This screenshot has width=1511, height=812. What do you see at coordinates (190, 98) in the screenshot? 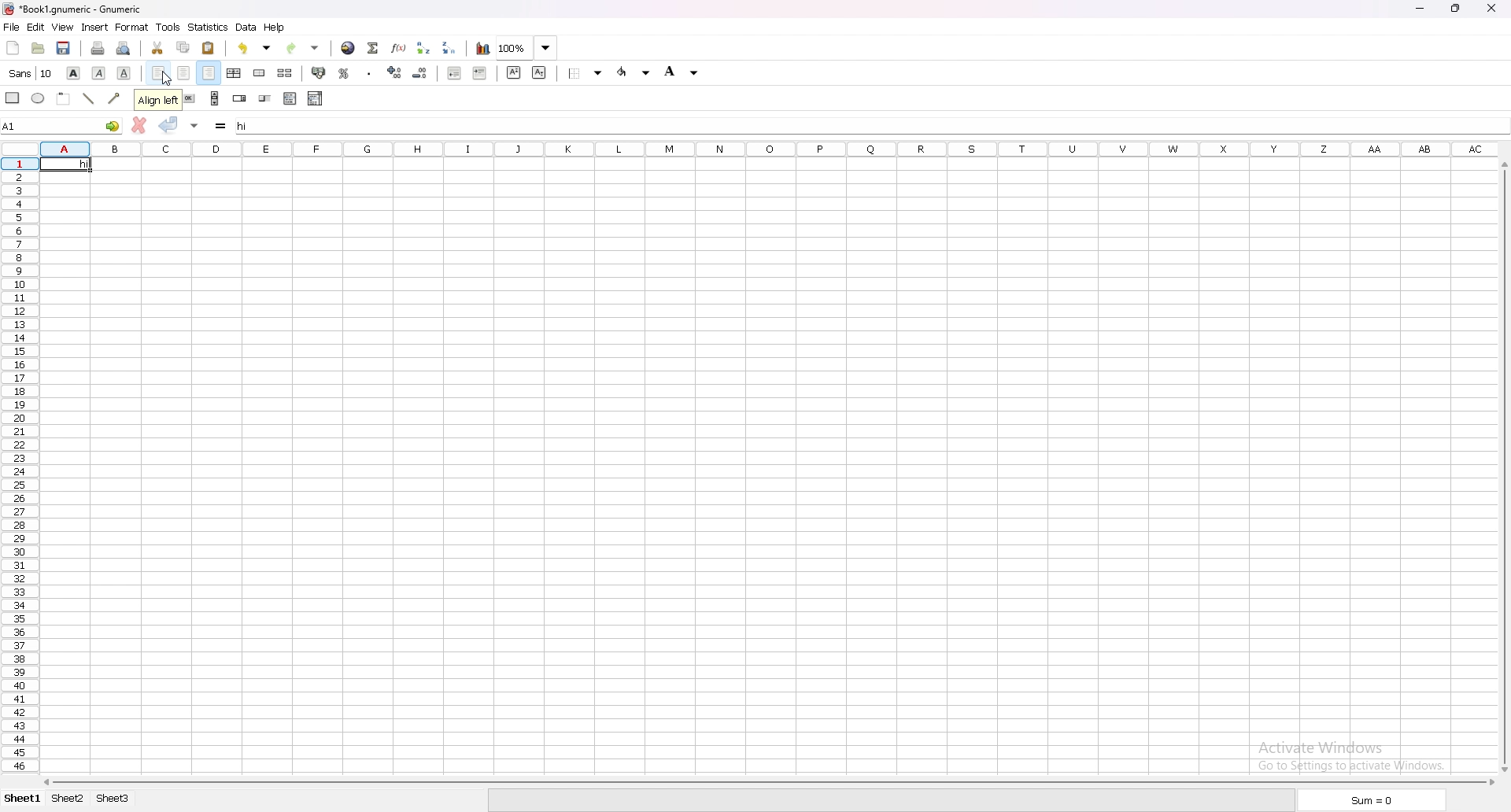
I see `button` at bounding box center [190, 98].